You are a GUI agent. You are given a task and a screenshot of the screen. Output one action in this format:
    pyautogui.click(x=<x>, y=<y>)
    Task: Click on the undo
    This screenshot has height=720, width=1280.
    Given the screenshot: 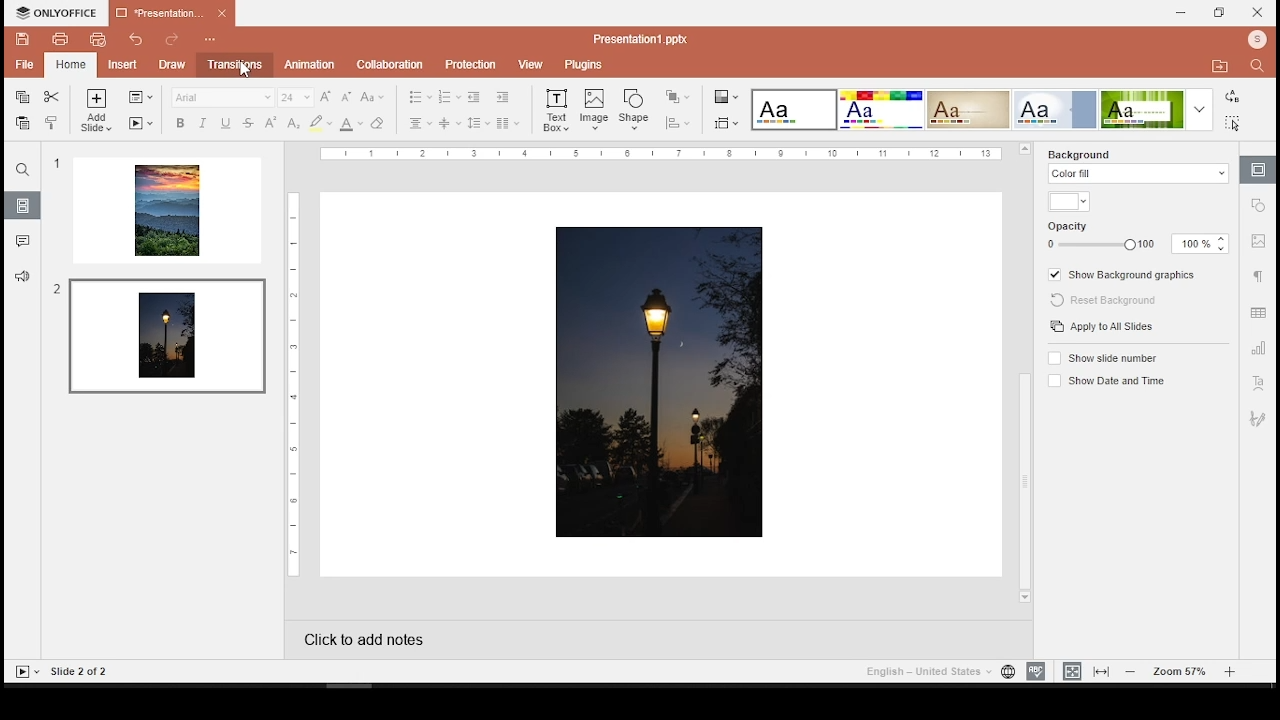 What is the action you would take?
    pyautogui.click(x=132, y=40)
    